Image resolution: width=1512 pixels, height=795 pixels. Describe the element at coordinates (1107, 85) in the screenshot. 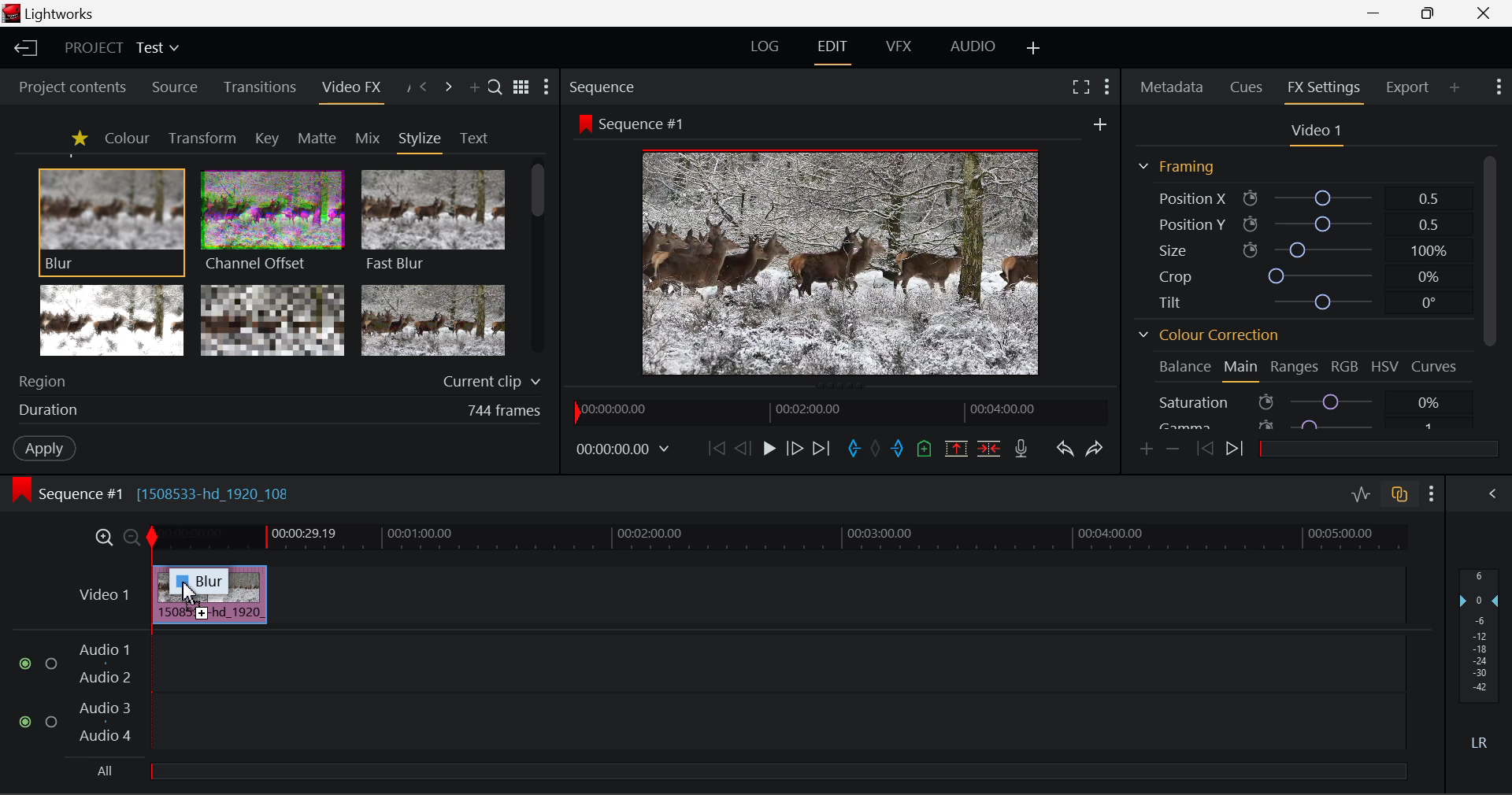

I see `Show Settings` at that location.